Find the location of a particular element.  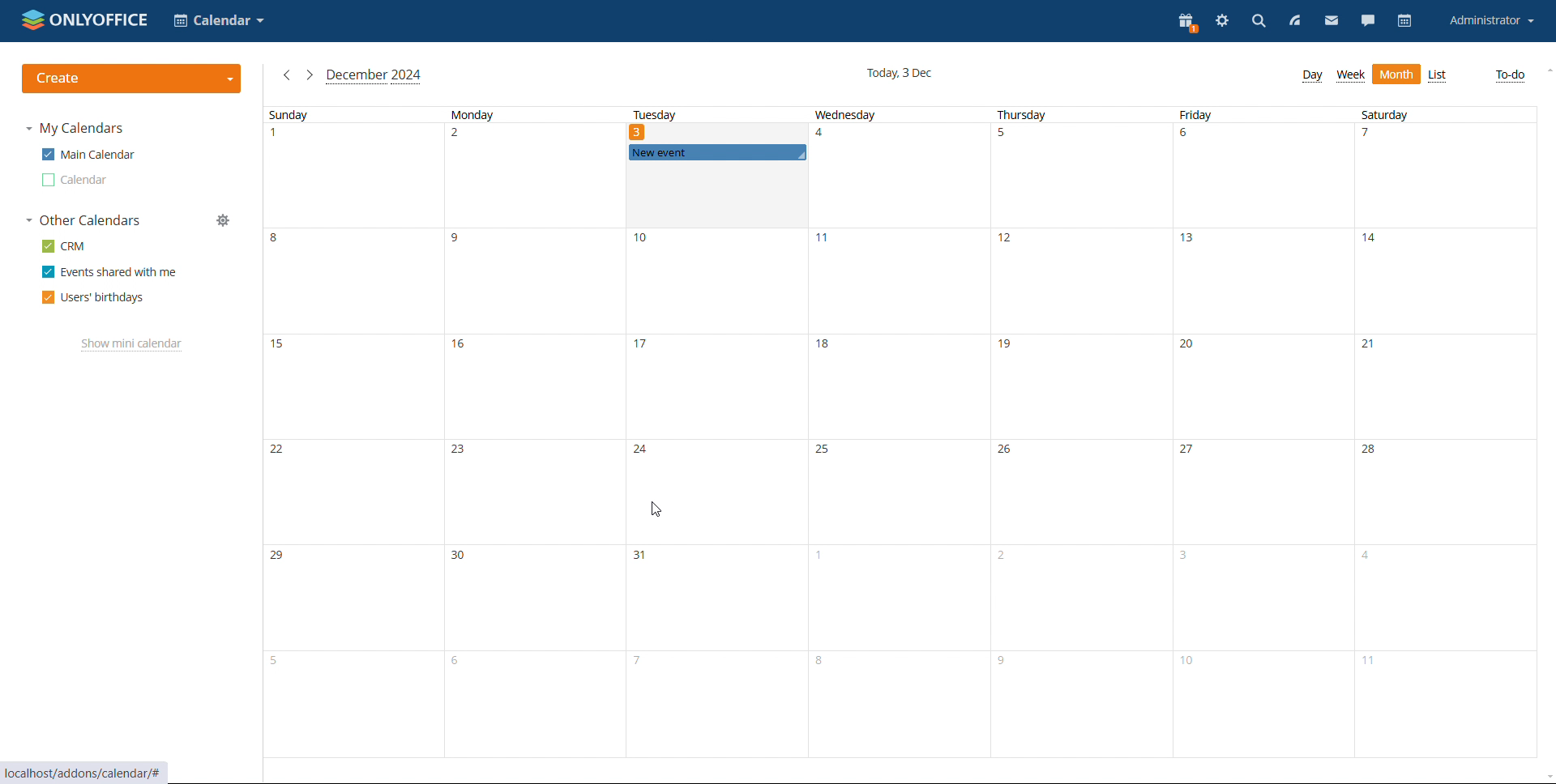

cursor is located at coordinates (655, 509).